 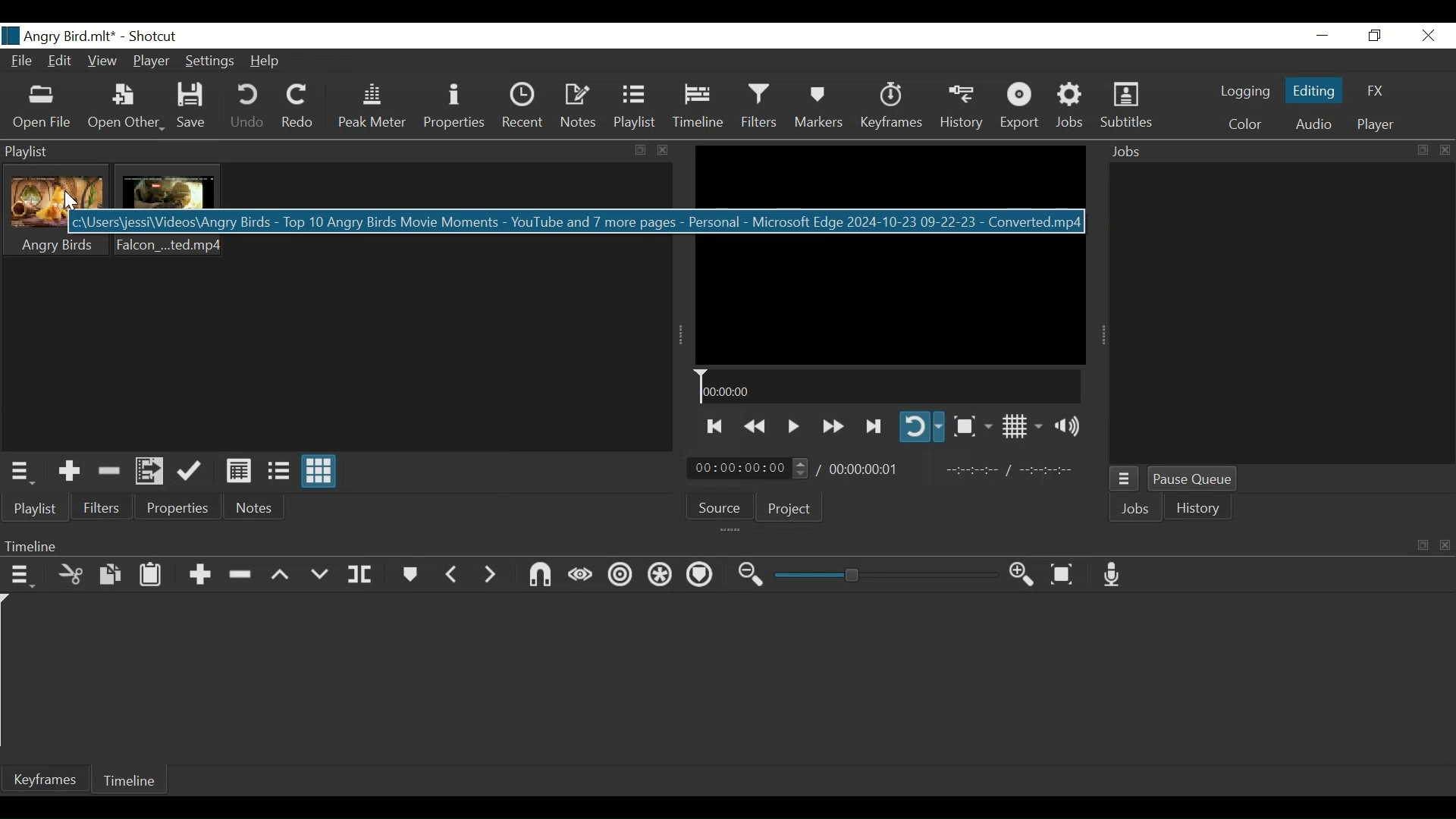 What do you see at coordinates (71, 574) in the screenshot?
I see `Cut` at bounding box center [71, 574].